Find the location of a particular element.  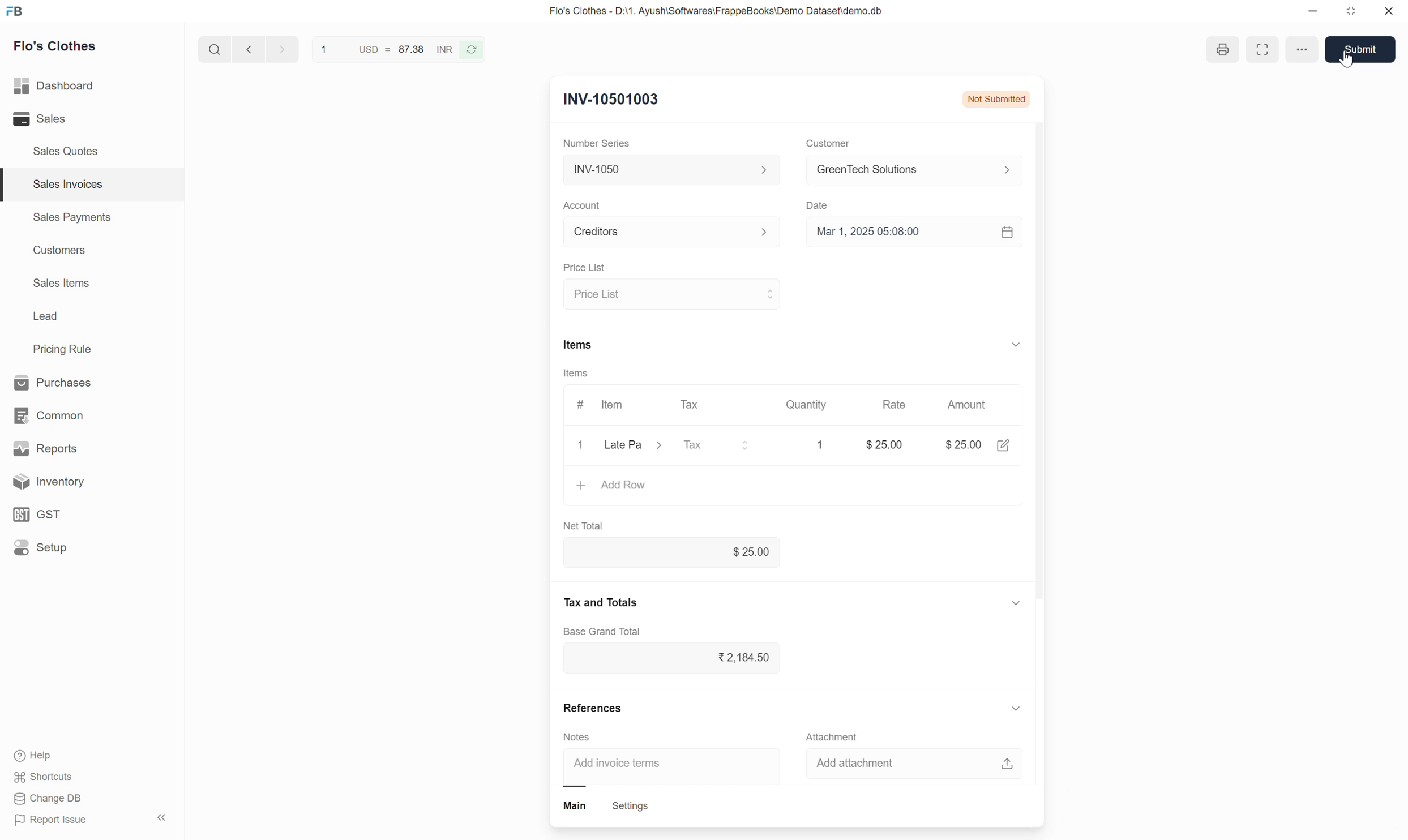

search  is located at coordinates (212, 52).